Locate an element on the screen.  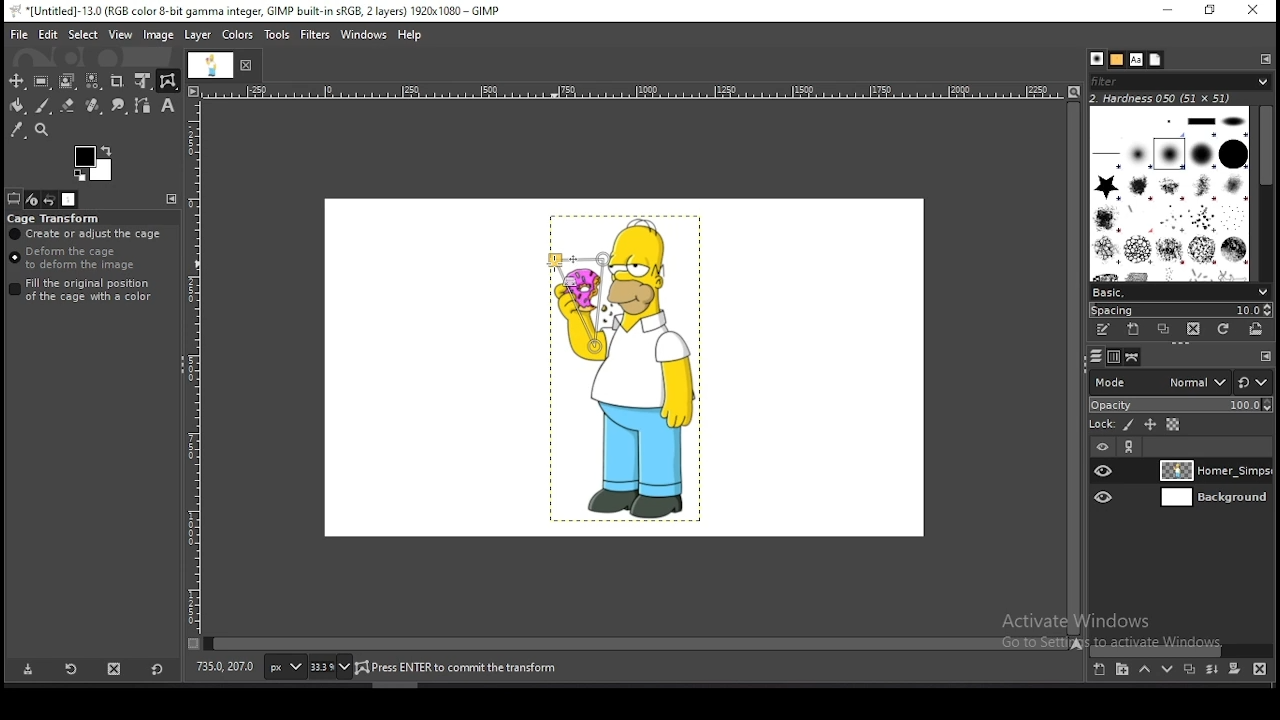
move tool is located at coordinates (17, 81).